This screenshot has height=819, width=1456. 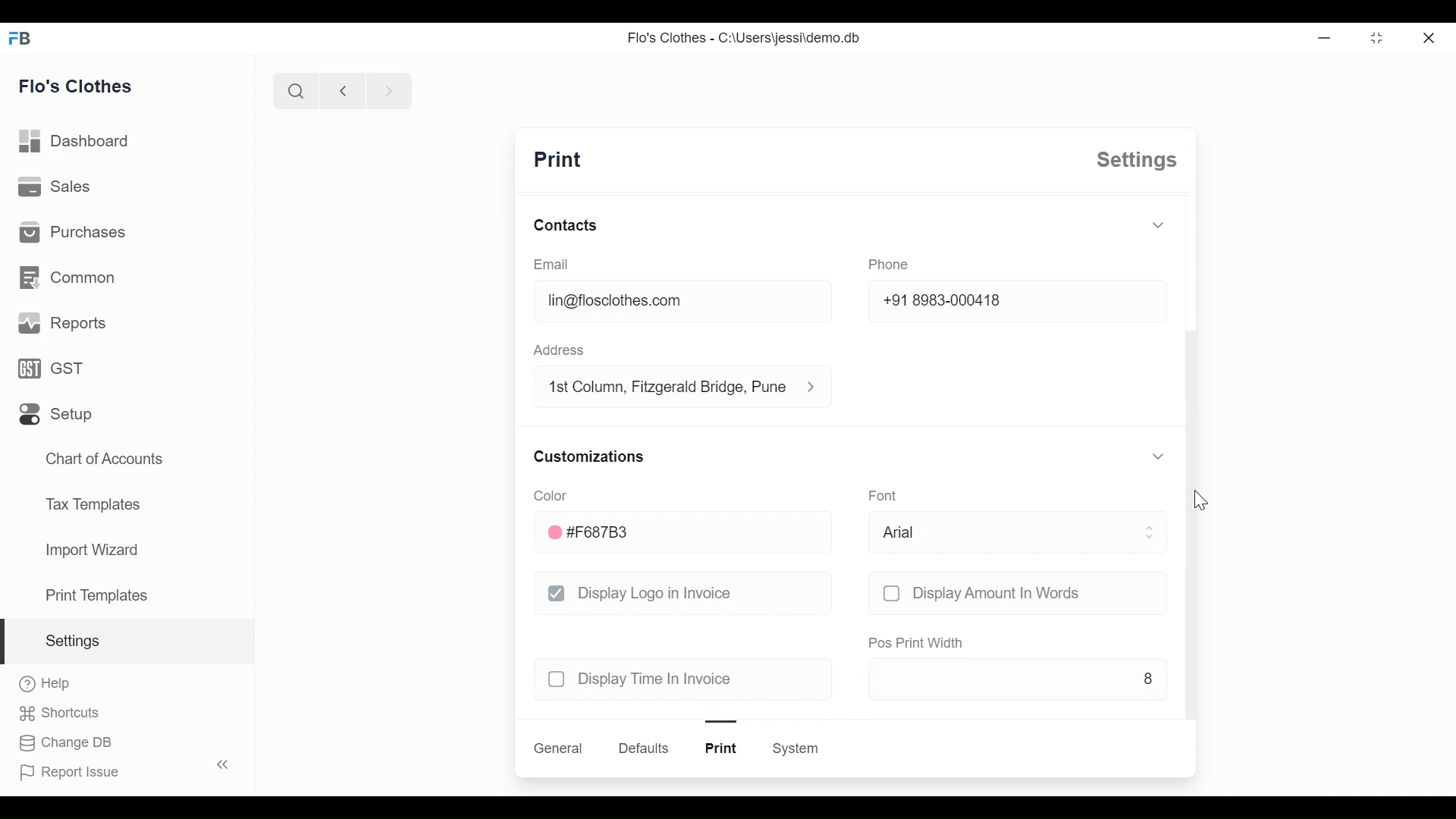 I want to click on contacts, so click(x=566, y=224).